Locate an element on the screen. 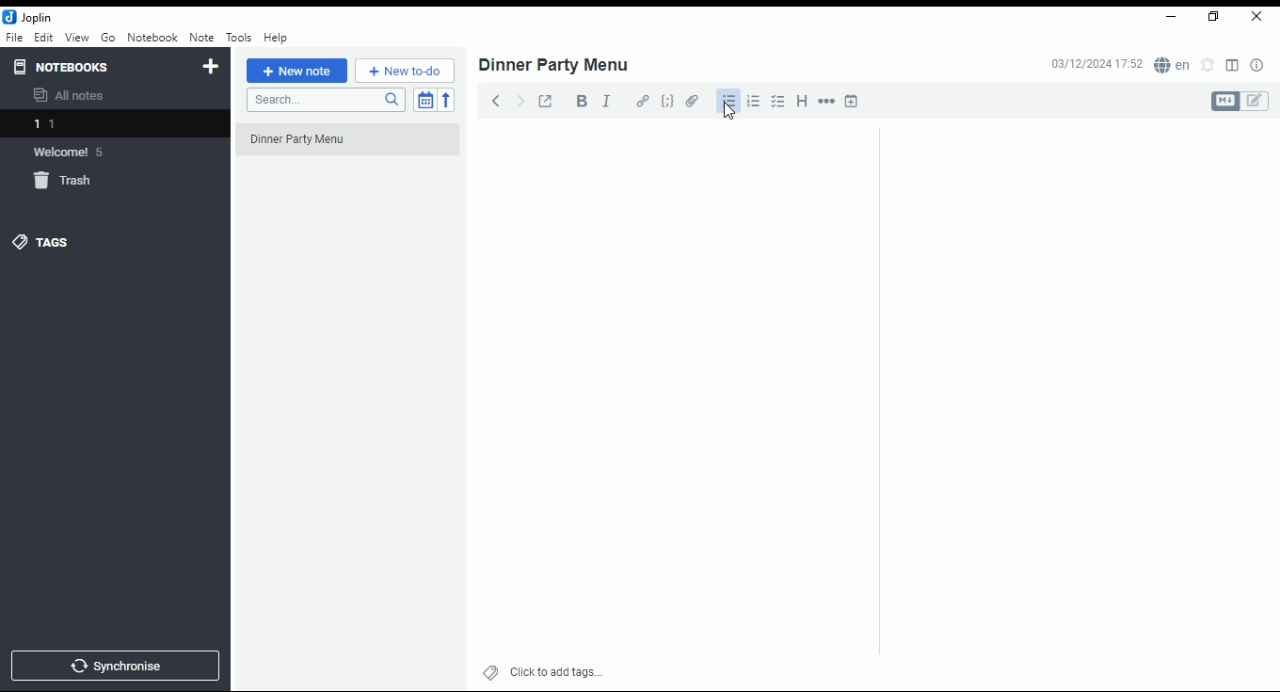 Image resolution: width=1280 pixels, height=692 pixels. bullet list is located at coordinates (731, 101).